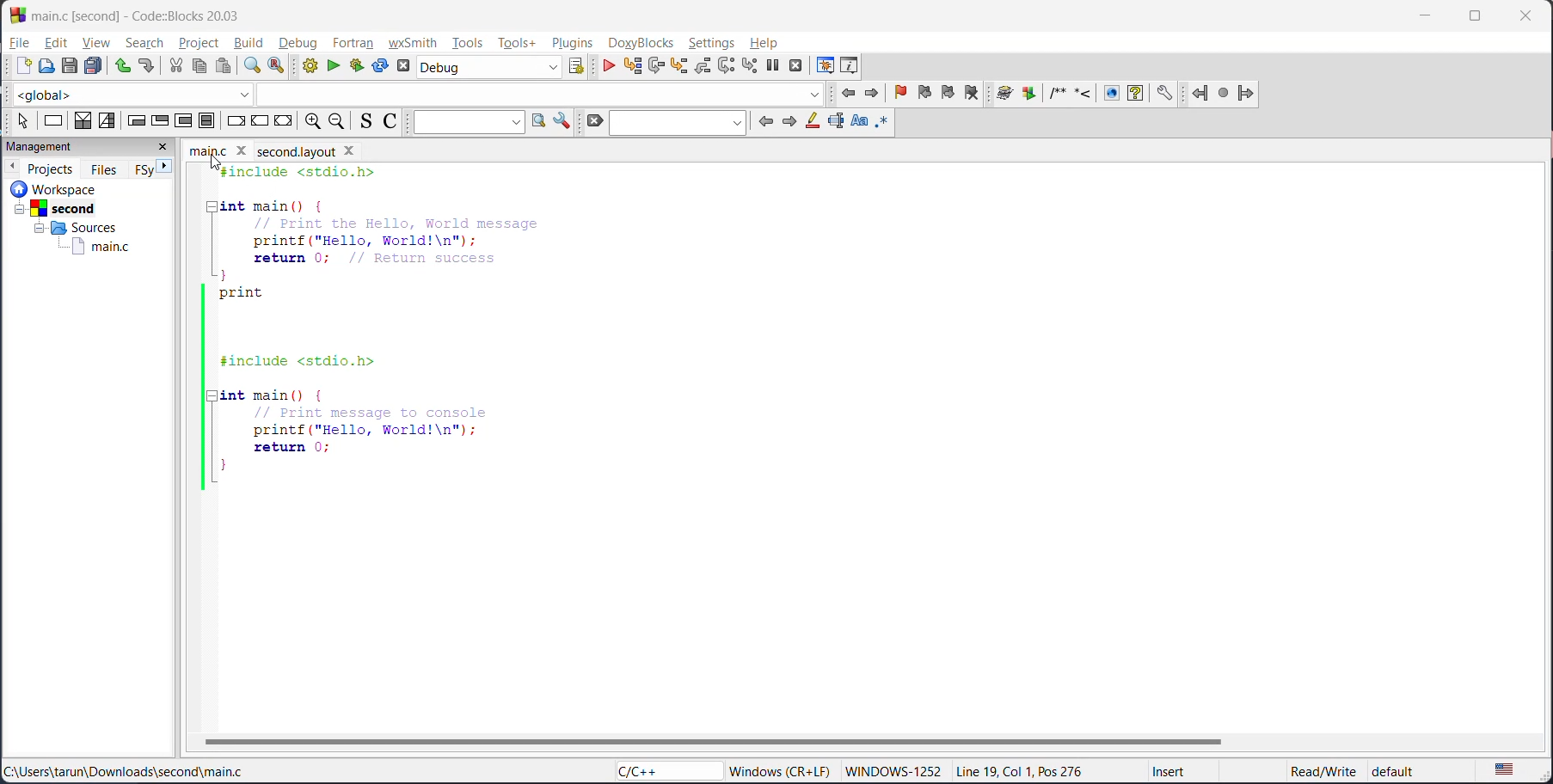 The height and width of the screenshot is (784, 1553). What do you see at coordinates (611, 67) in the screenshot?
I see `debug` at bounding box center [611, 67].